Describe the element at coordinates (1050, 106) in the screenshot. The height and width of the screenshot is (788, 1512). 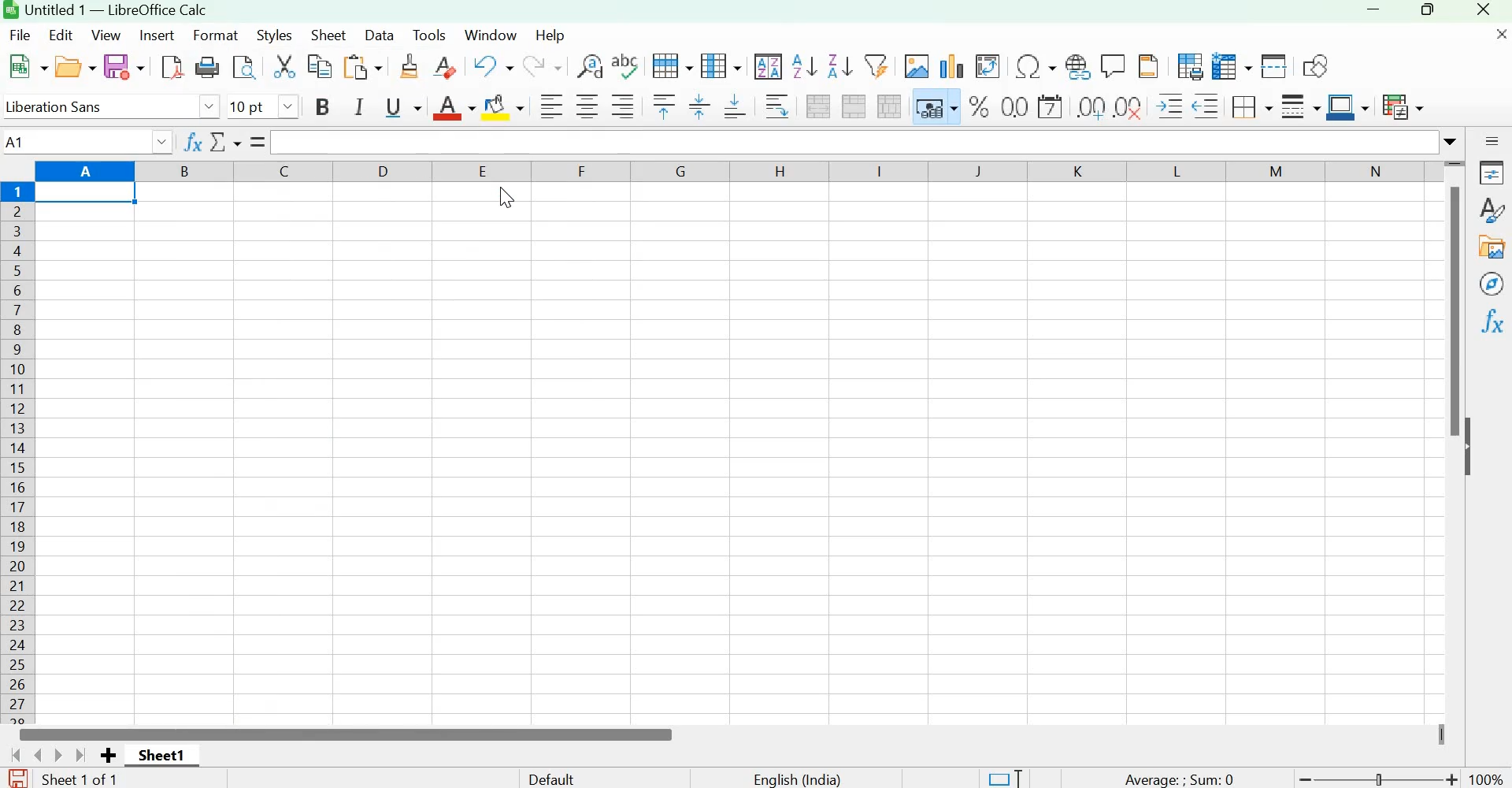
I see `Format as date` at that location.